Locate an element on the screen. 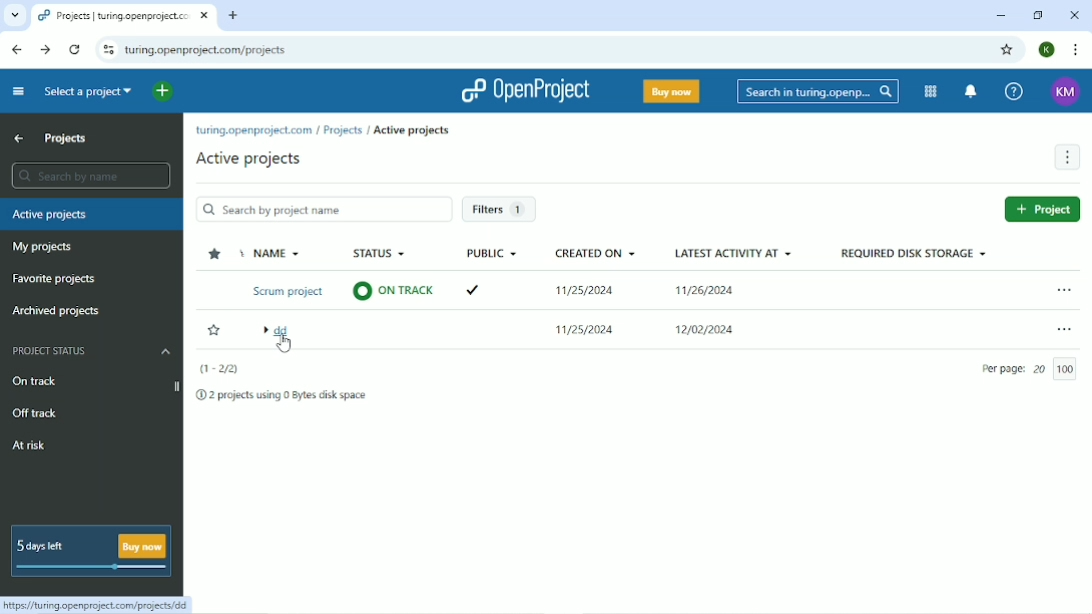 Image resolution: width=1092 pixels, height=614 pixels. Favorite projects is located at coordinates (53, 280).